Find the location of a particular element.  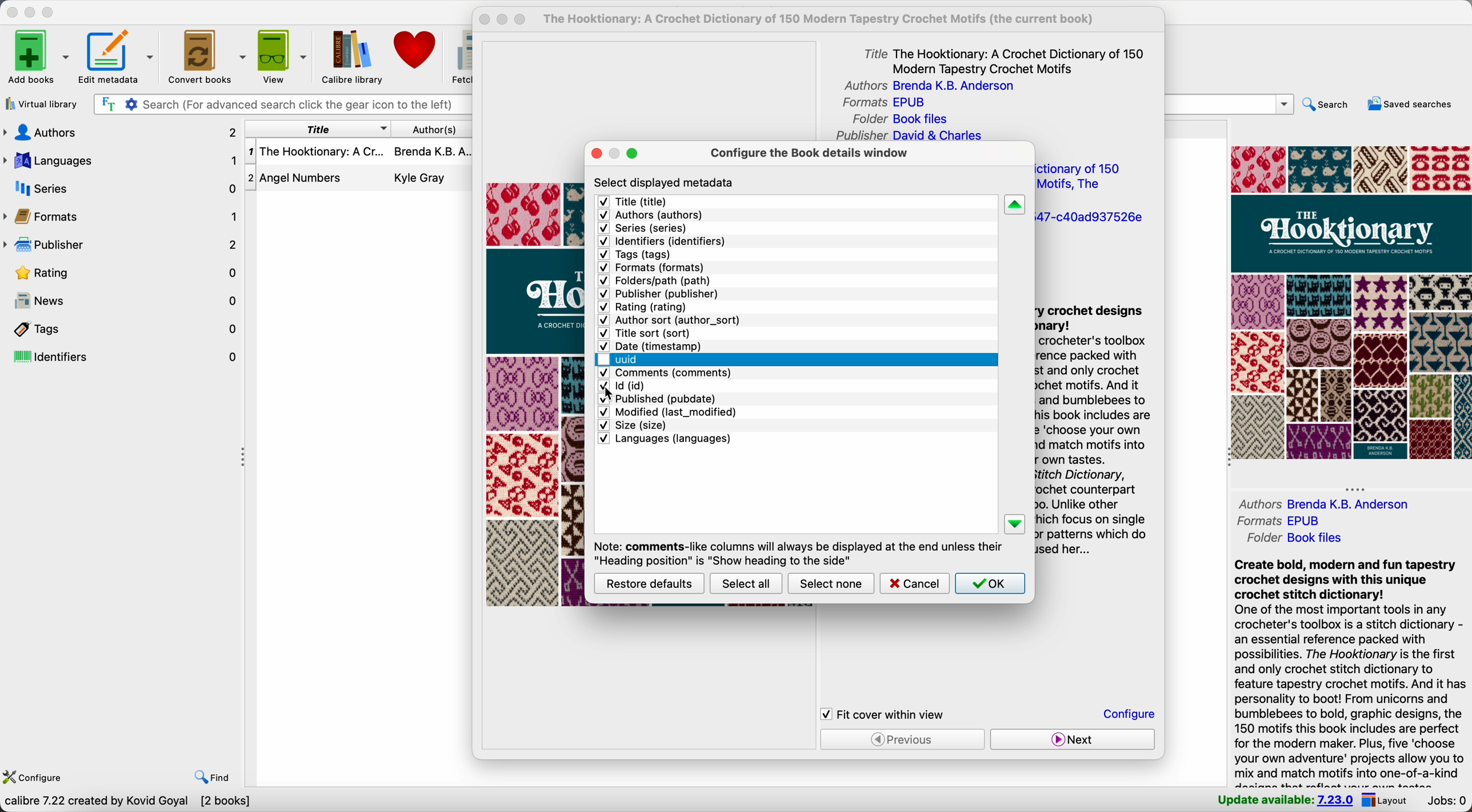

saved searches is located at coordinates (1413, 105).